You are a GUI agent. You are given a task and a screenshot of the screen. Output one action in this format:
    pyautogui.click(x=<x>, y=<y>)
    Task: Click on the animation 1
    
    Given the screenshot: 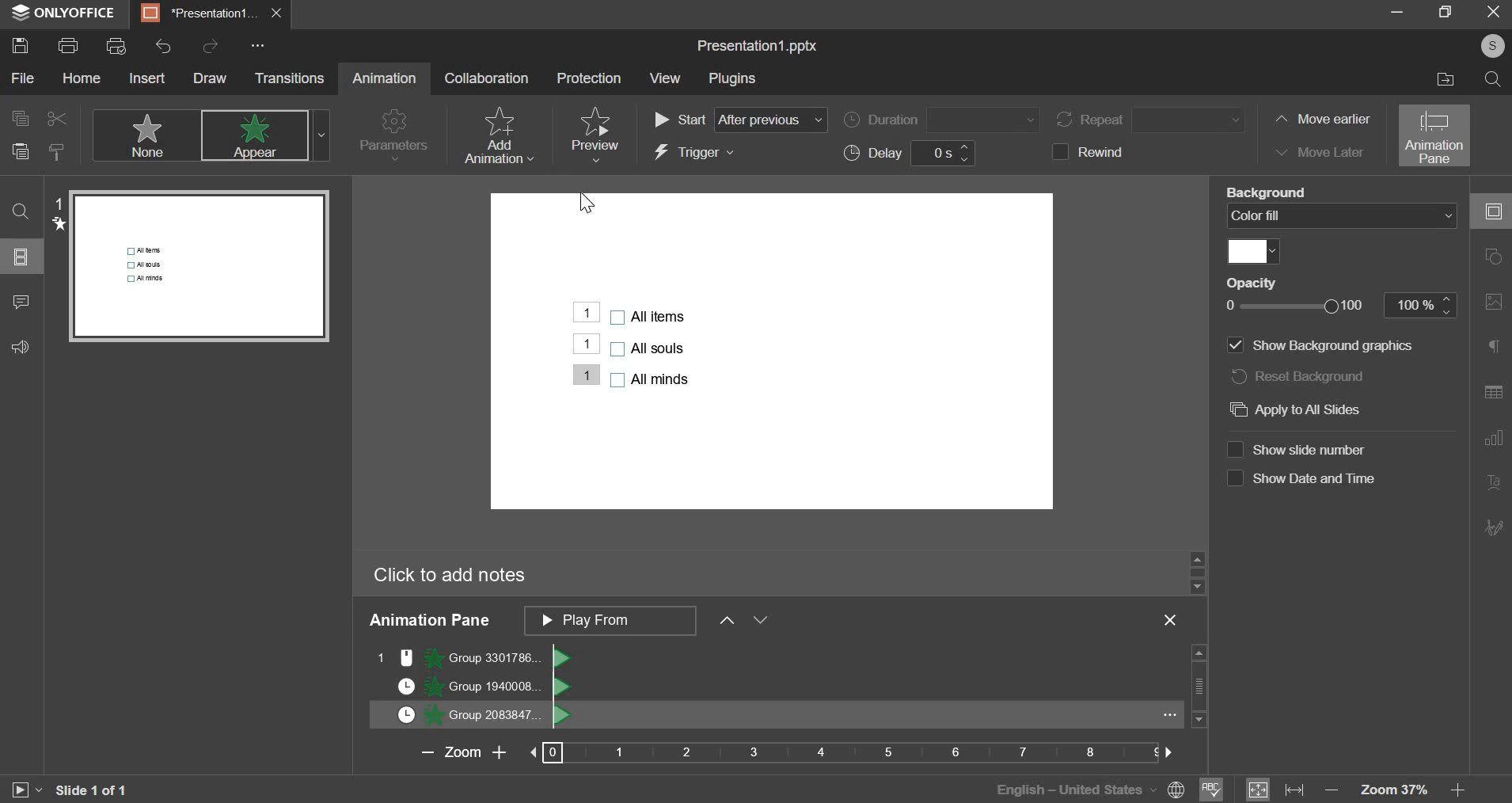 What is the action you would take?
    pyautogui.click(x=473, y=657)
    